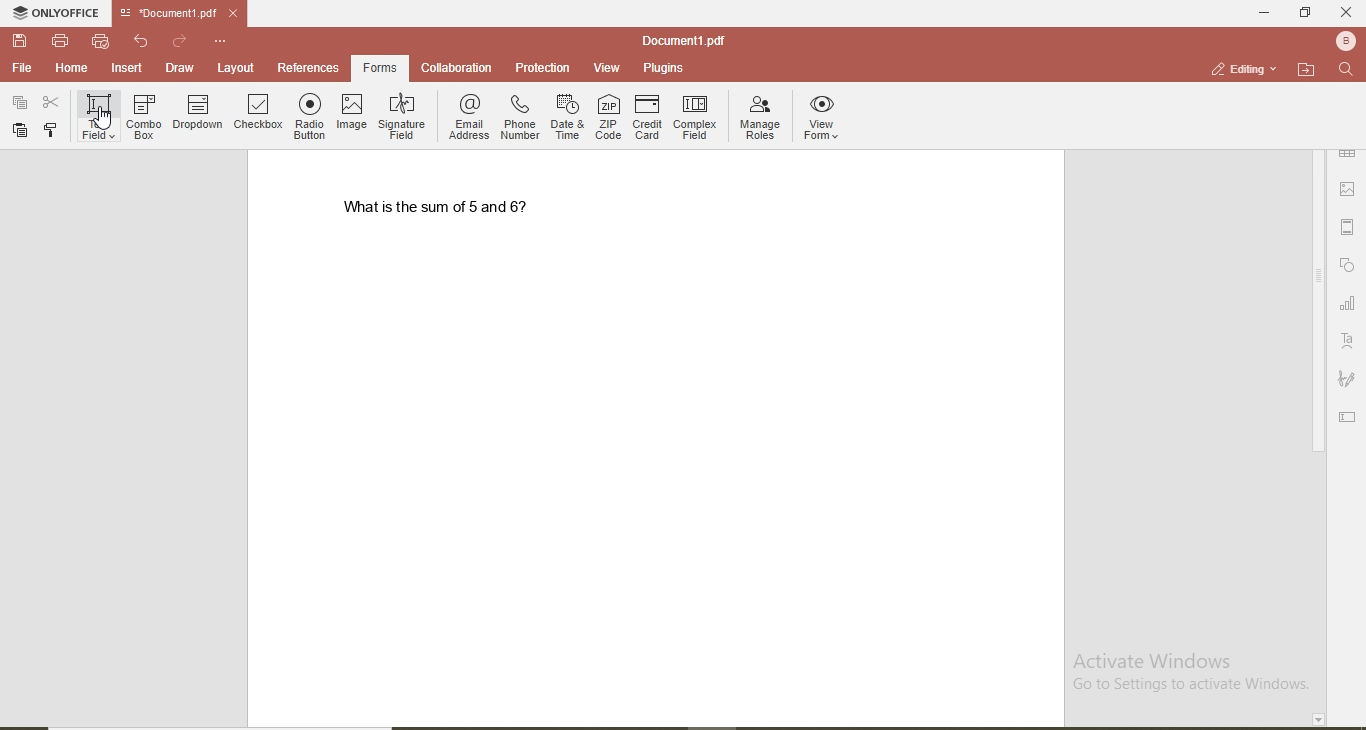 The image size is (1366, 730). Describe the element at coordinates (1343, 41) in the screenshot. I see `bluetooth` at that location.